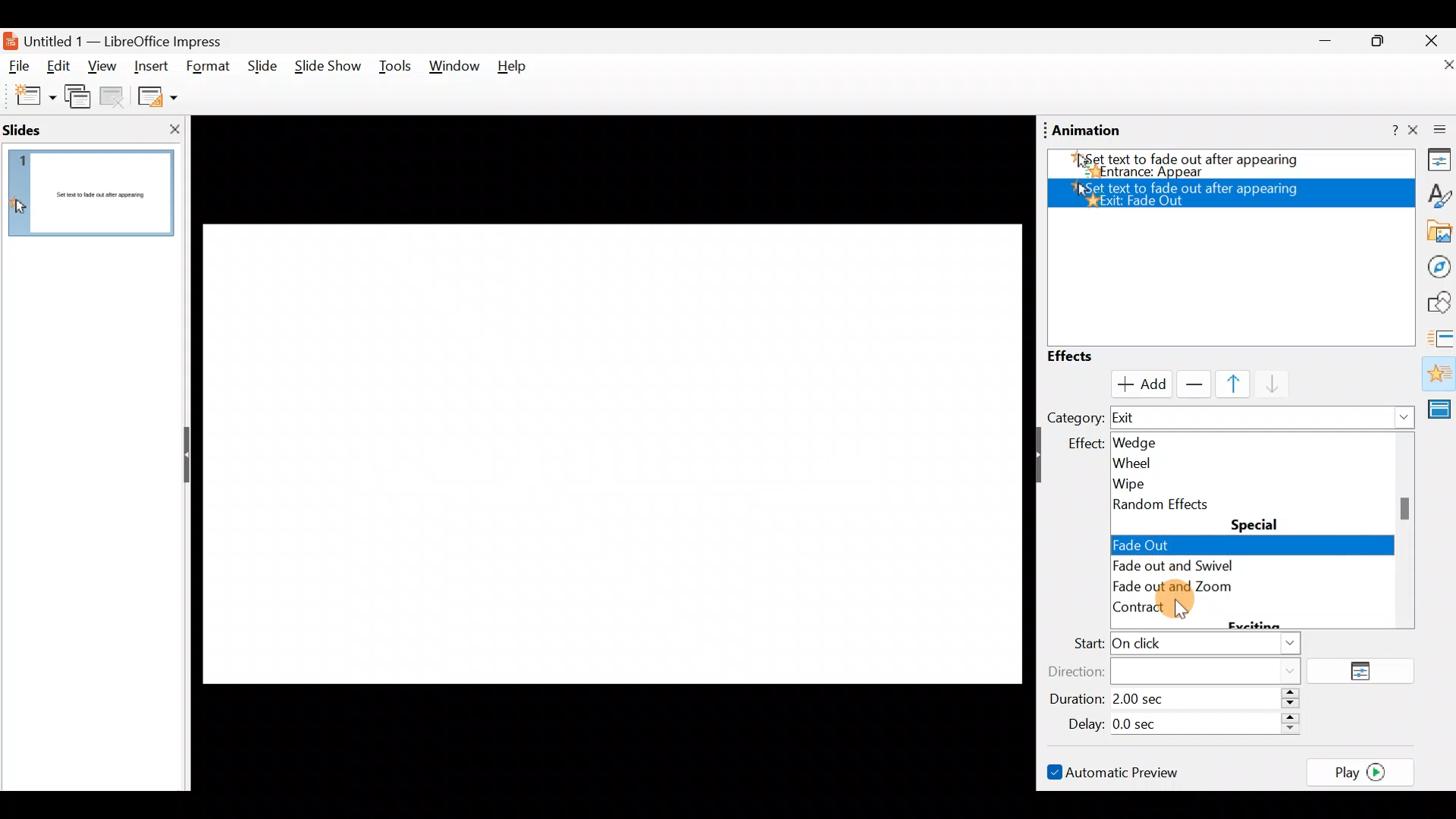 The width and height of the screenshot is (1456, 819). Describe the element at coordinates (1179, 700) in the screenshot. I see `Duration` at that location.